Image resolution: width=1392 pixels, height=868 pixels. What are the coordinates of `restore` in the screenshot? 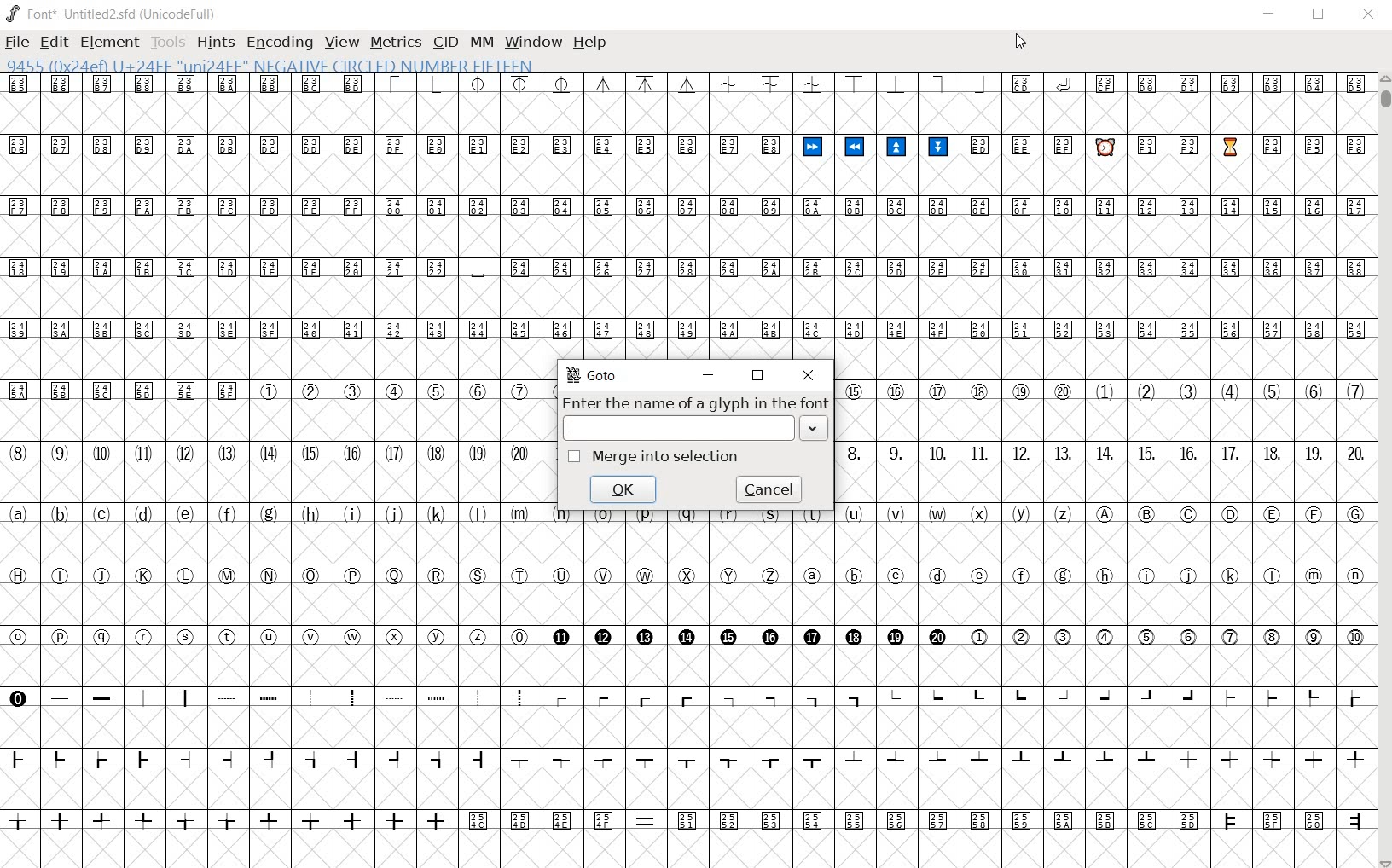 It's located at (757, 376).